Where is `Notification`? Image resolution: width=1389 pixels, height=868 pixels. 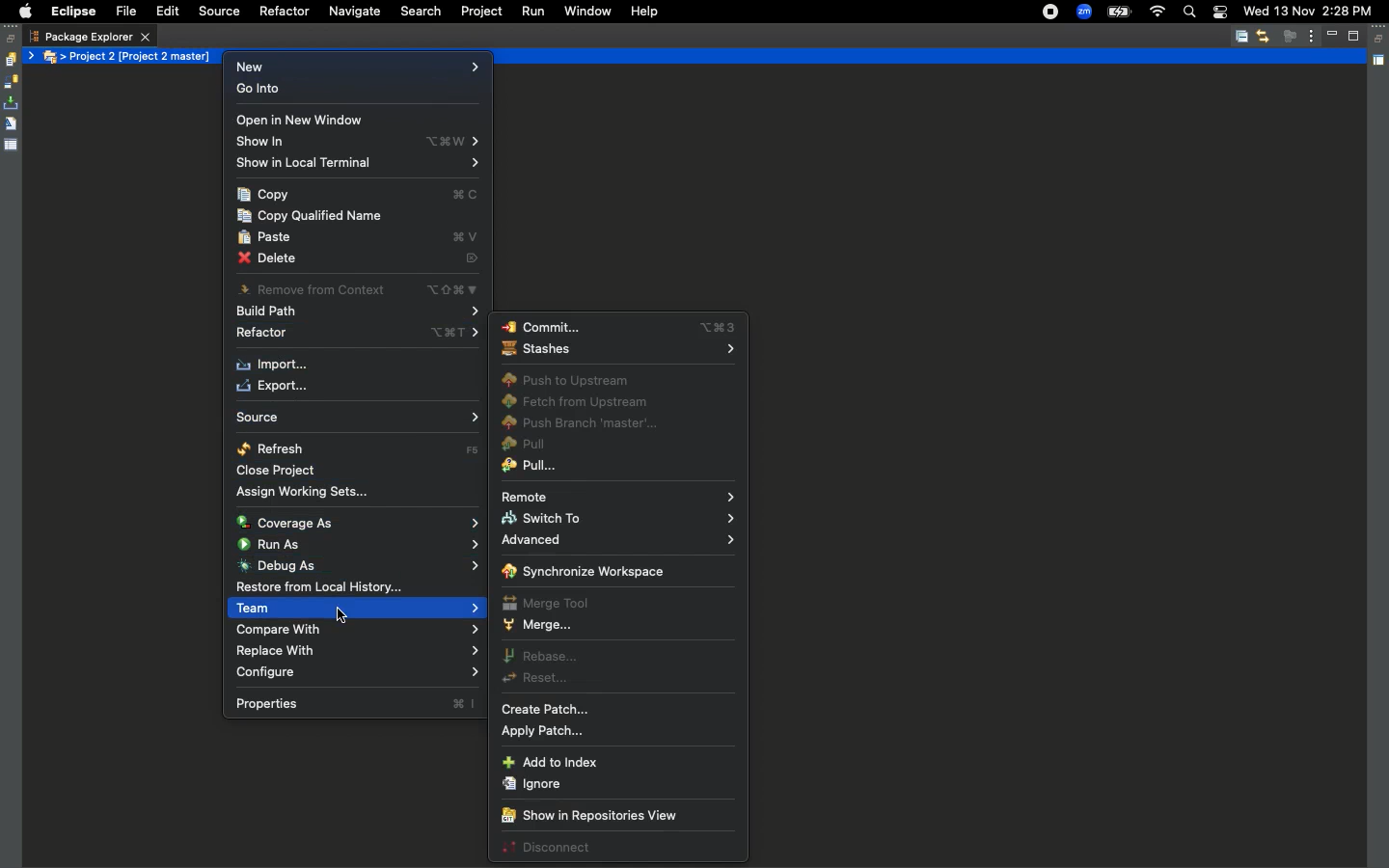
Notification is located at coordinates (1219, 14).